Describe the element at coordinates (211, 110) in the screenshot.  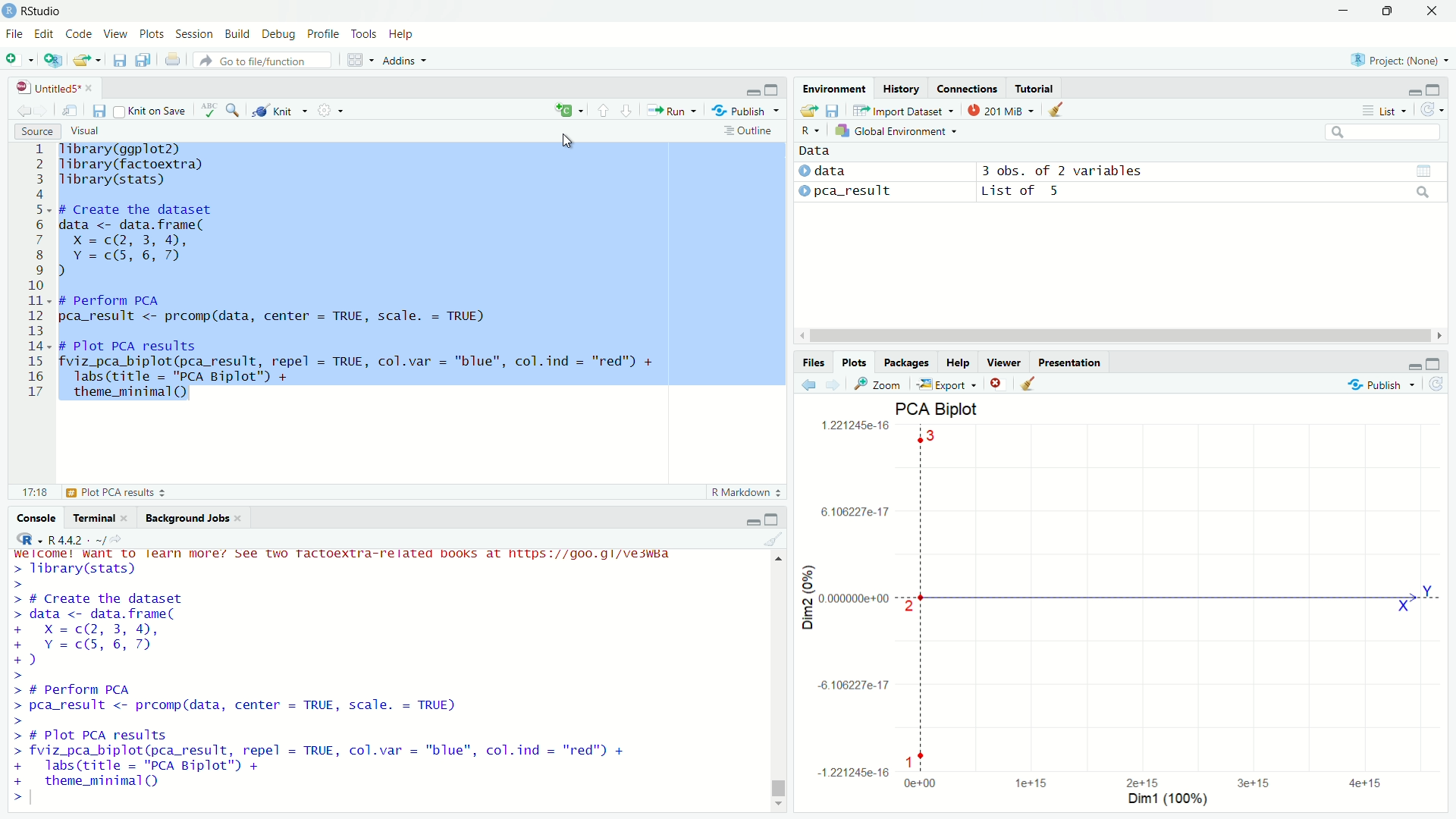
I see `spelling check` at that location.